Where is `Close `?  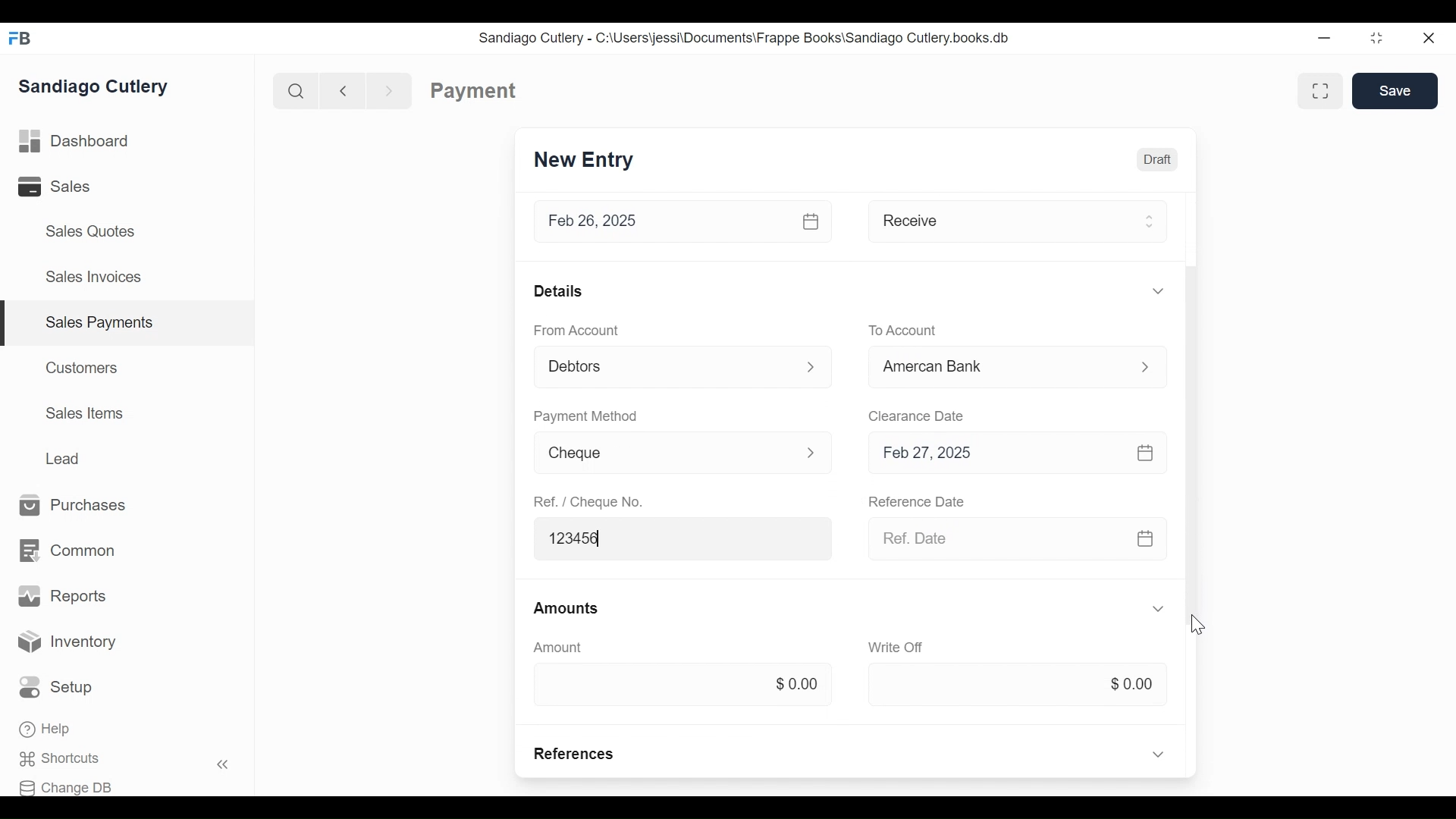
Close  is located at coordinates (1430, 38).